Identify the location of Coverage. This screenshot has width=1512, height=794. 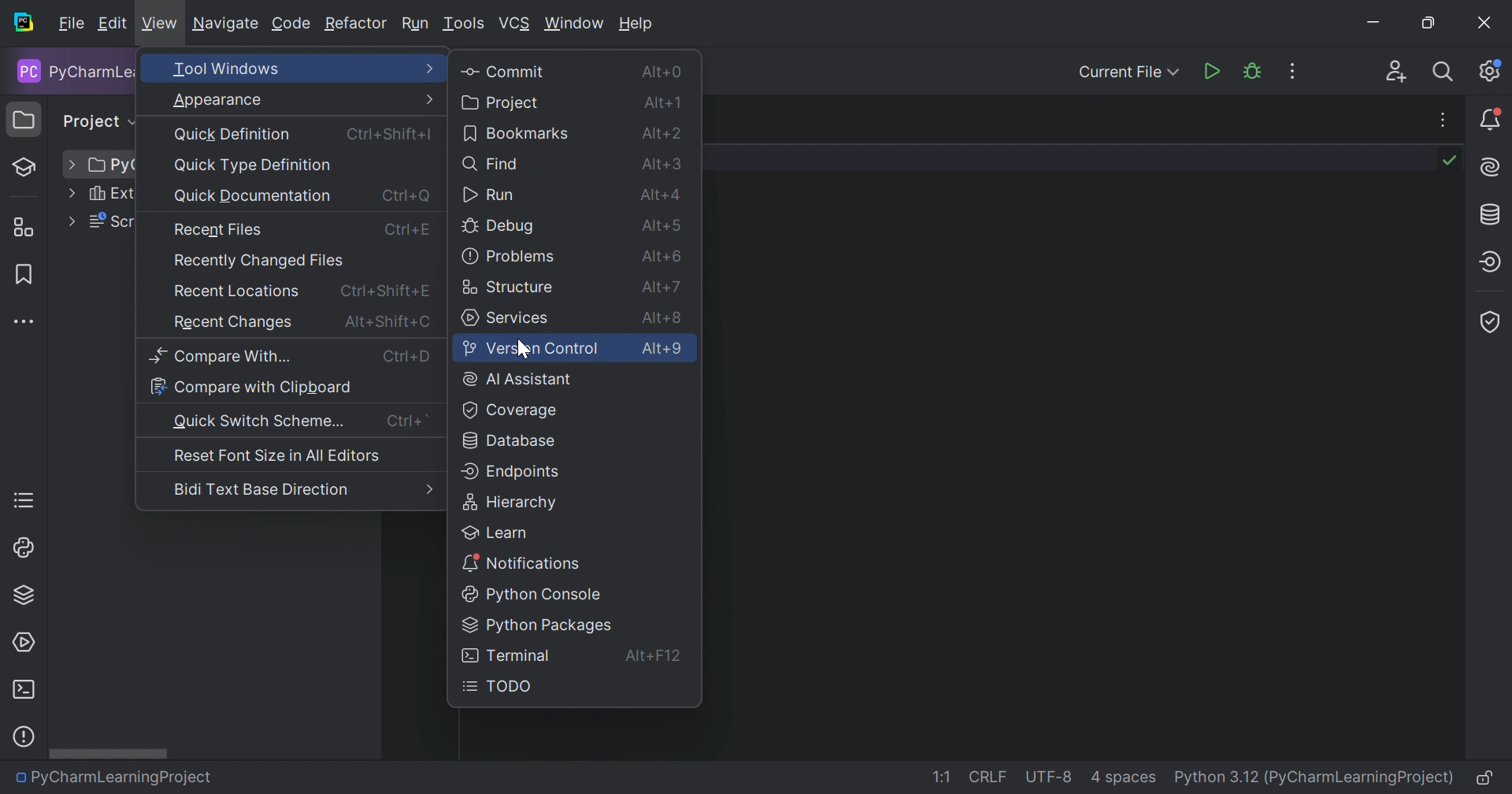
(511, 408).